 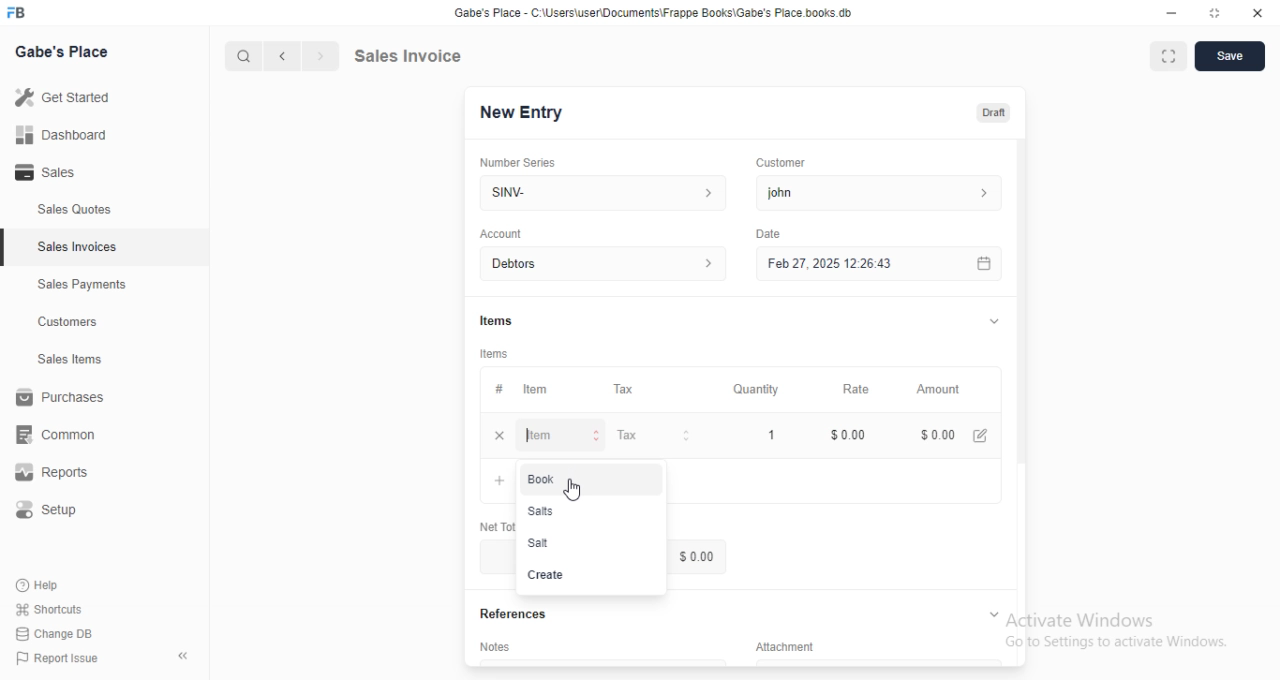 I want to click on Quantity, so click(x=756, y=388).